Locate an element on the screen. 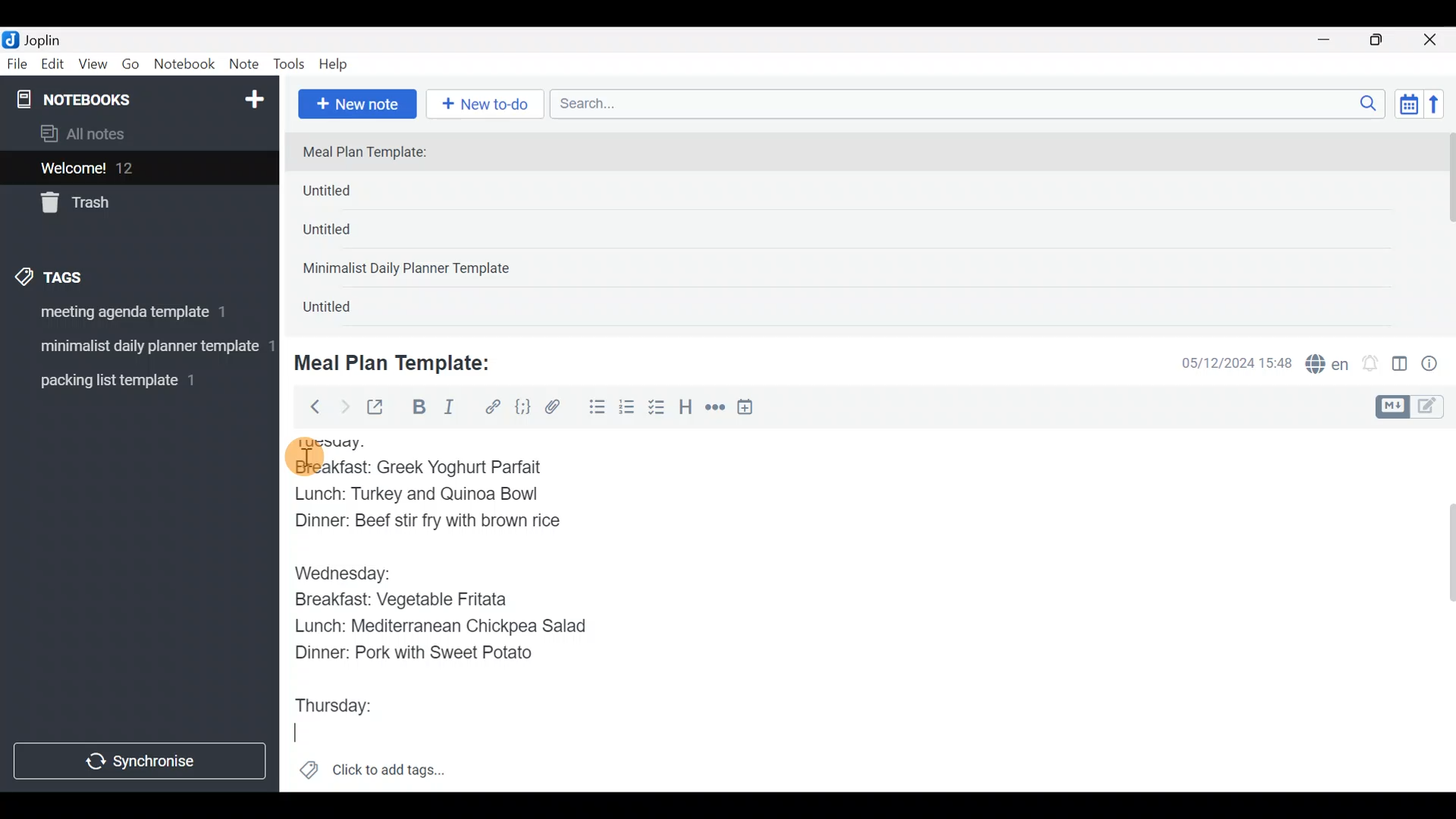  Untitled is located at coordinates (347, 234).